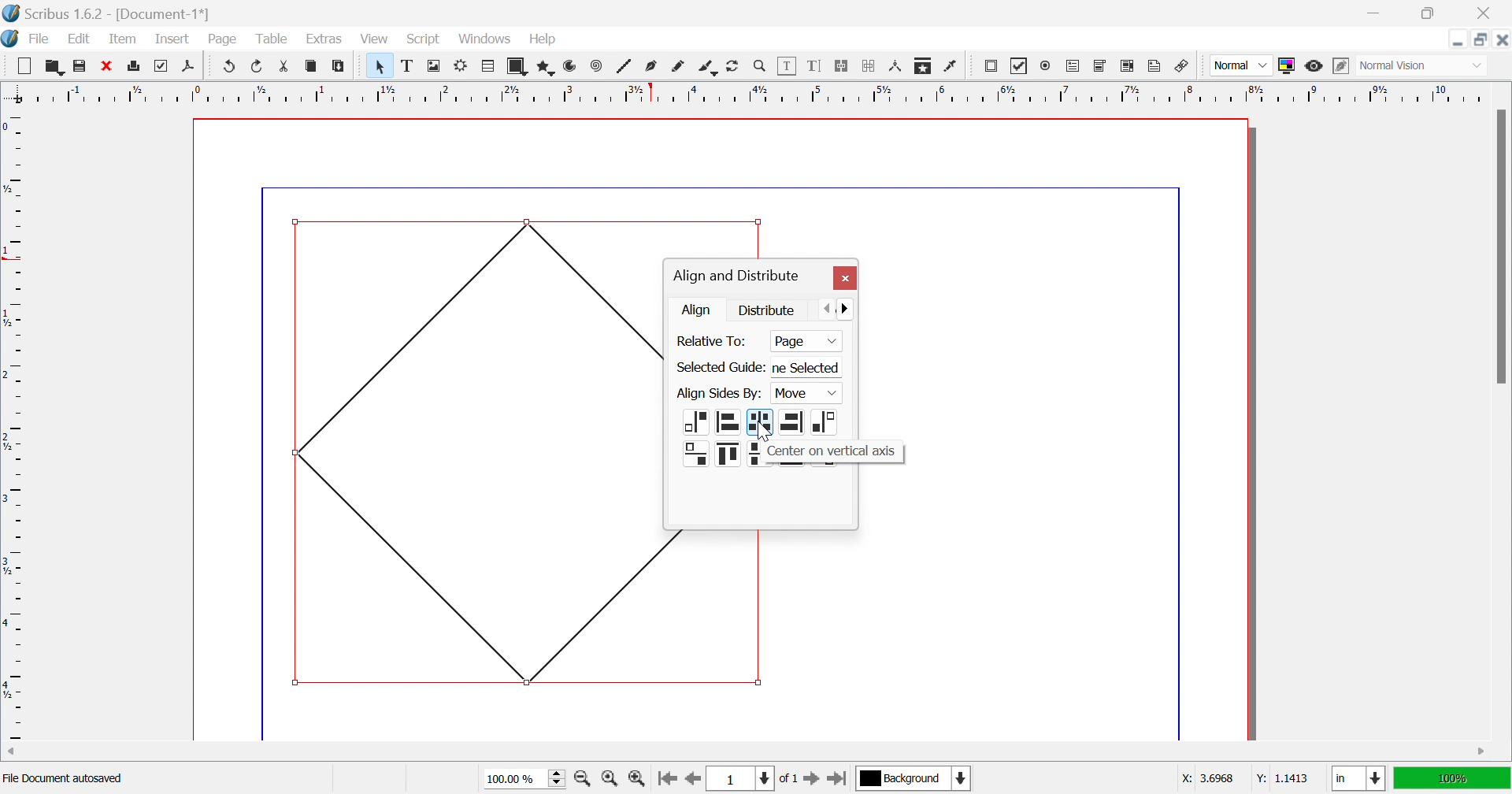 The width and height of the screenshot is (1512, 794). I want to click on Script, so click(428, 40).